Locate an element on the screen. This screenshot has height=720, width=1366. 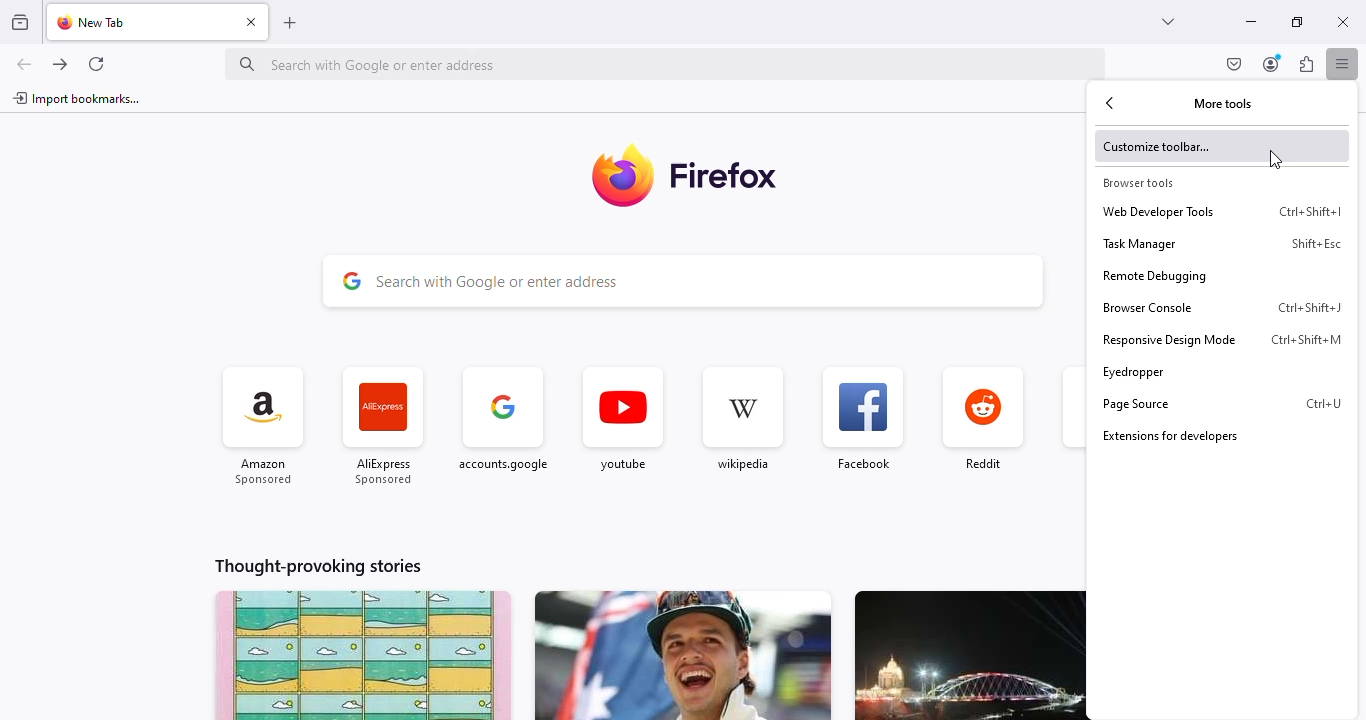
cursor is located at coordinates (1276, 159).